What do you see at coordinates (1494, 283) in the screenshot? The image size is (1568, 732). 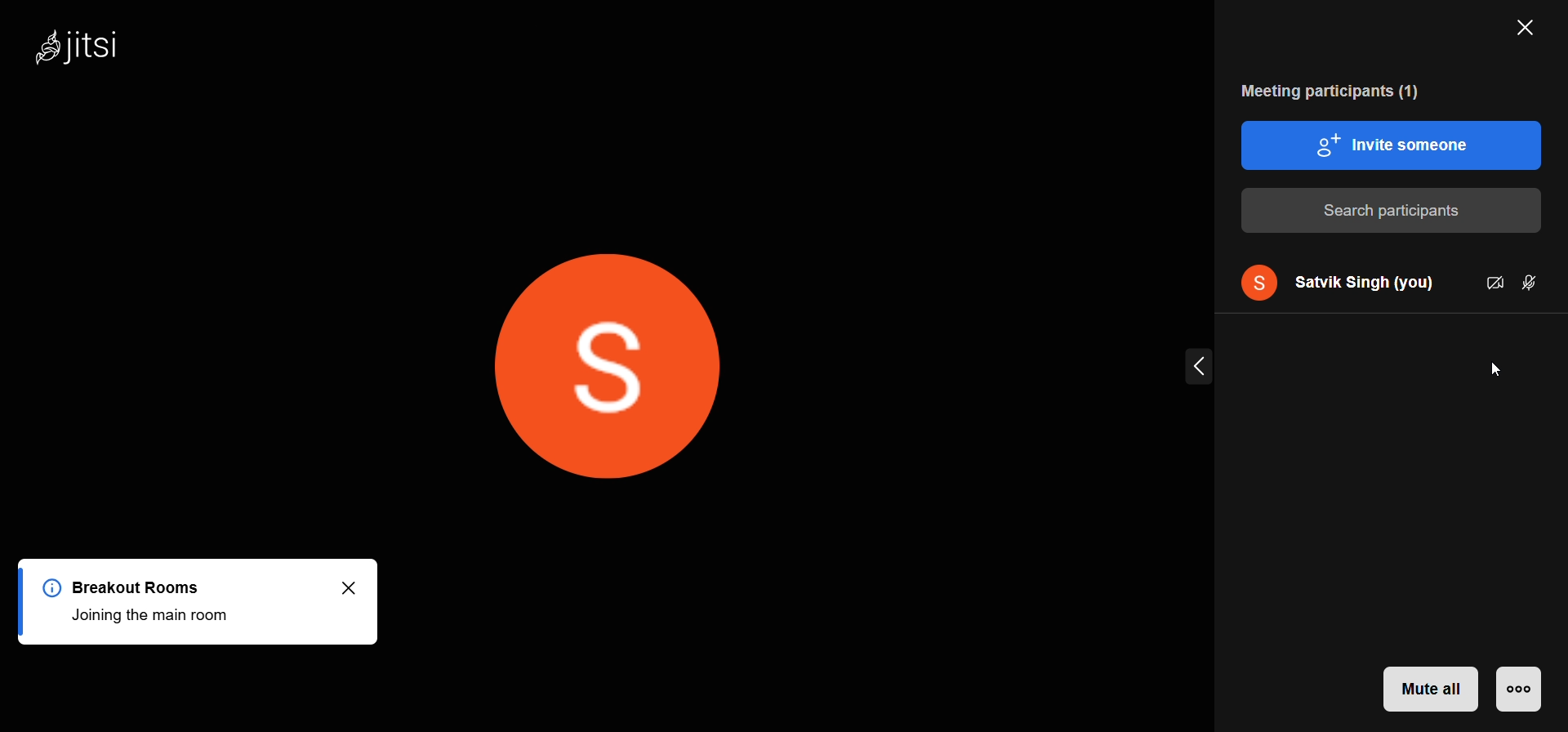 I see `camera` at bounding box center [1494, 283].